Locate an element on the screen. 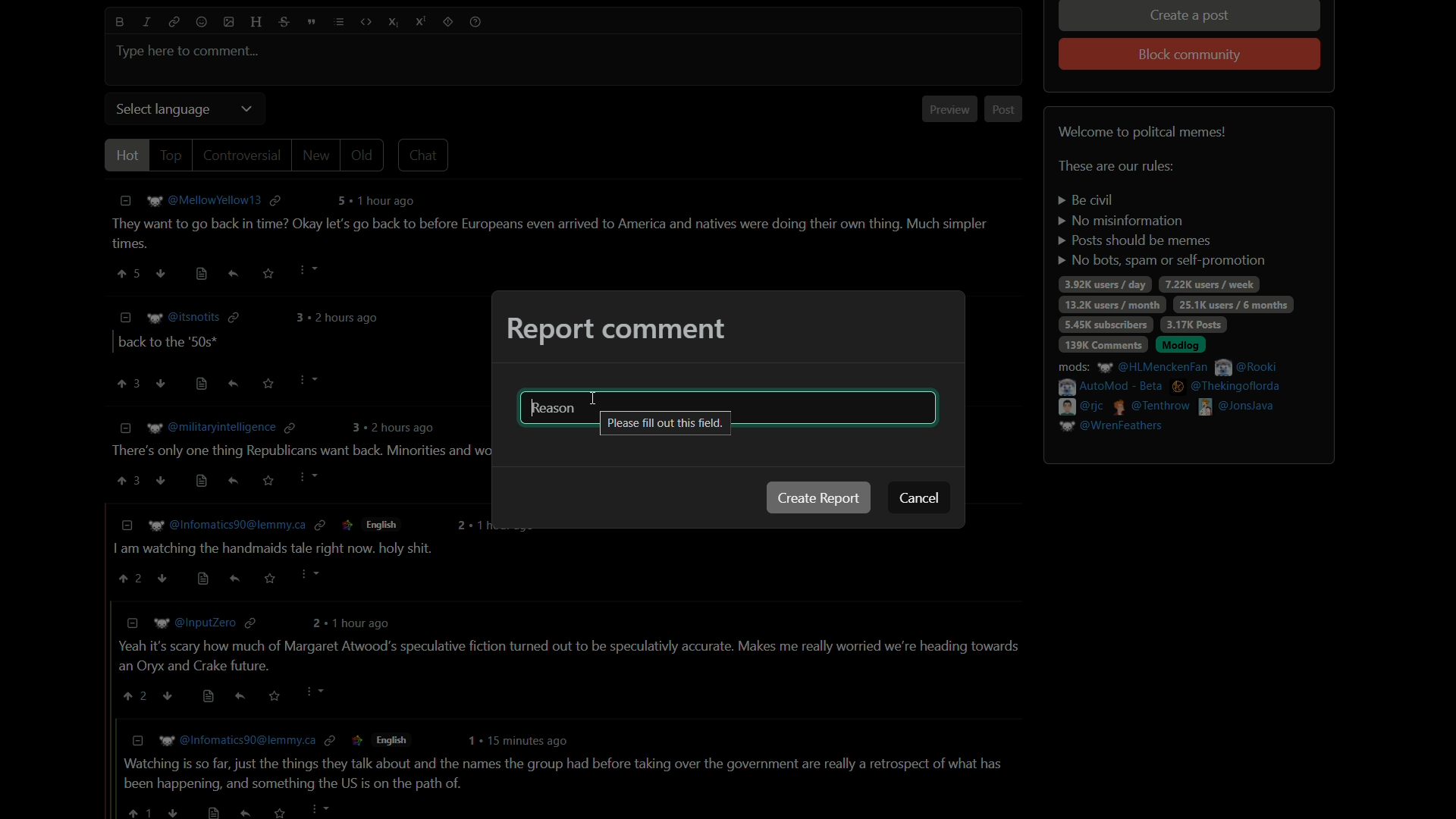  block community is located at coordinates (1191, 55).